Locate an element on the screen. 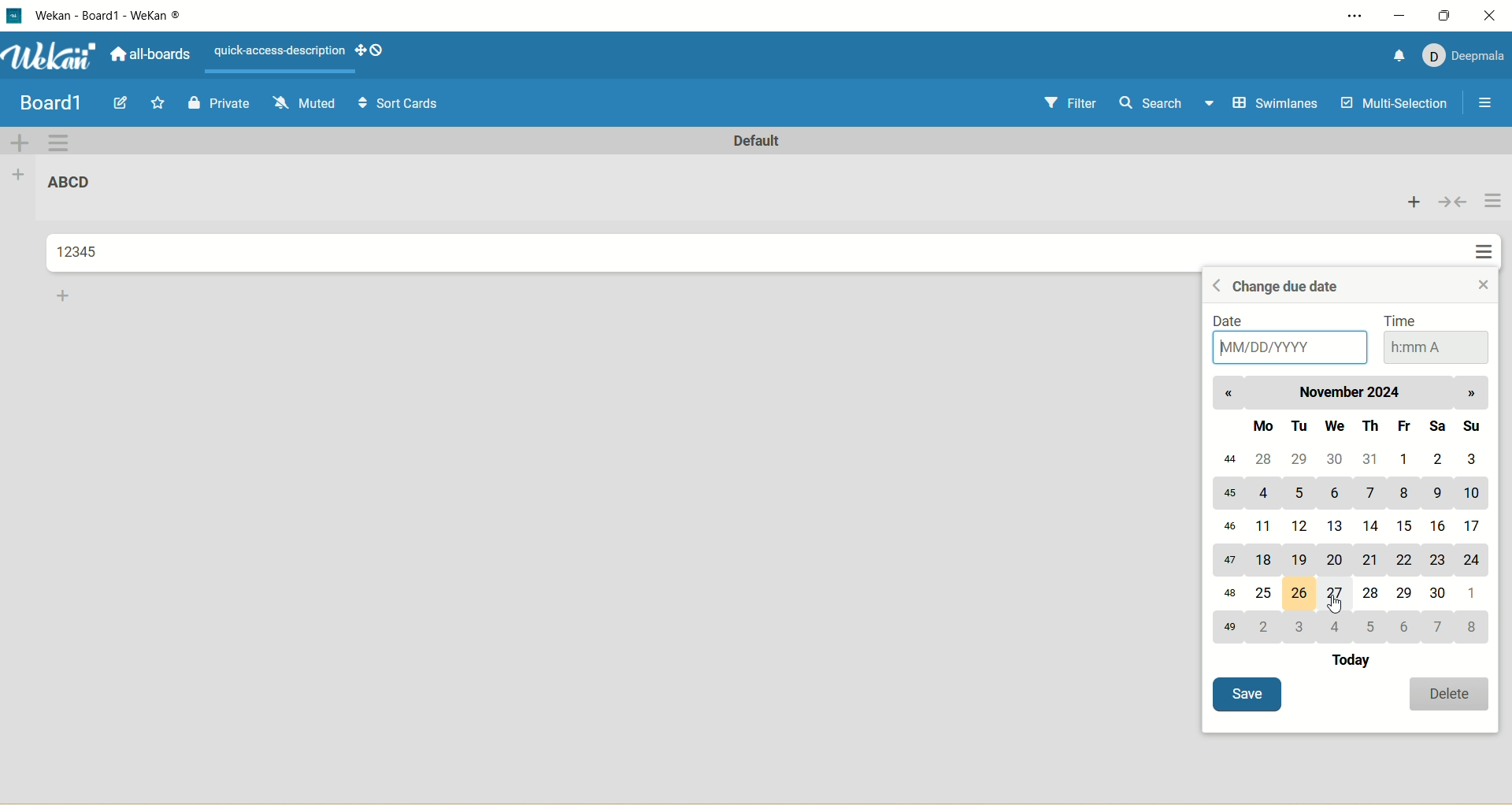 This screenshot has height=805, width=1512. minimize is located at coordinates (1401, 17).